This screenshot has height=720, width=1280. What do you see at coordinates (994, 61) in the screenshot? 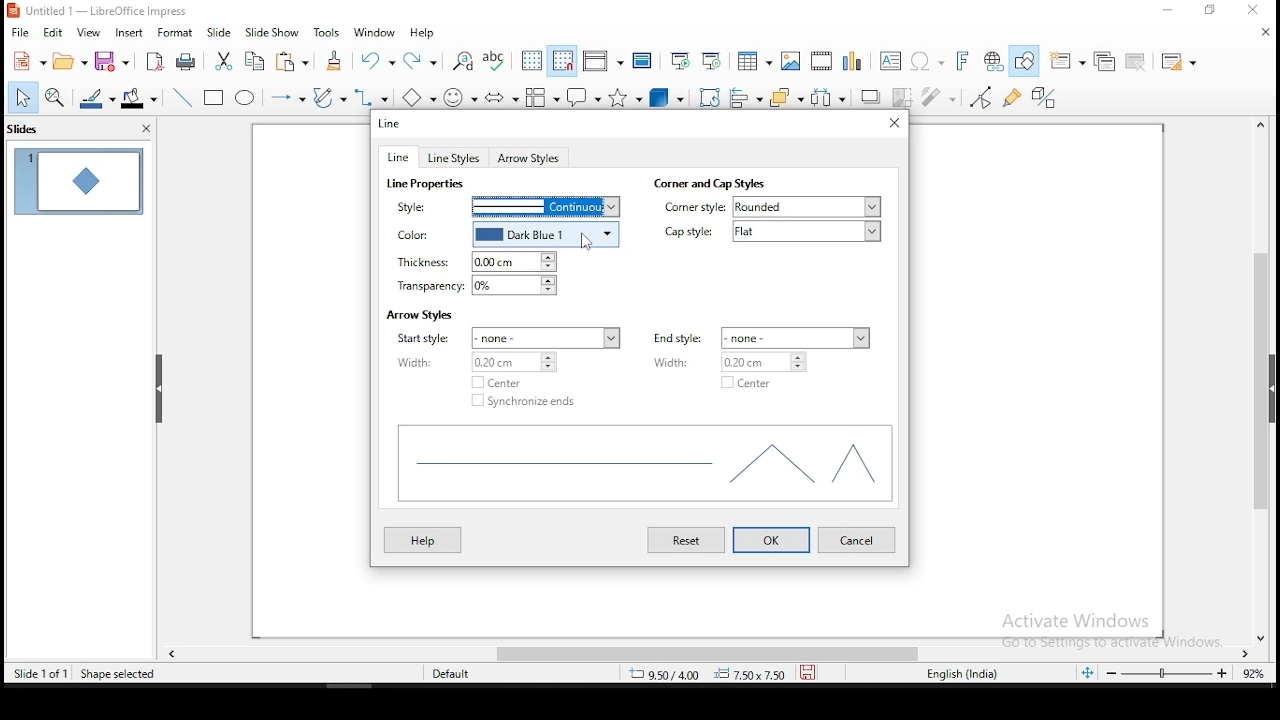
I see `insert hyperlink` at bounding box center [994, 61].